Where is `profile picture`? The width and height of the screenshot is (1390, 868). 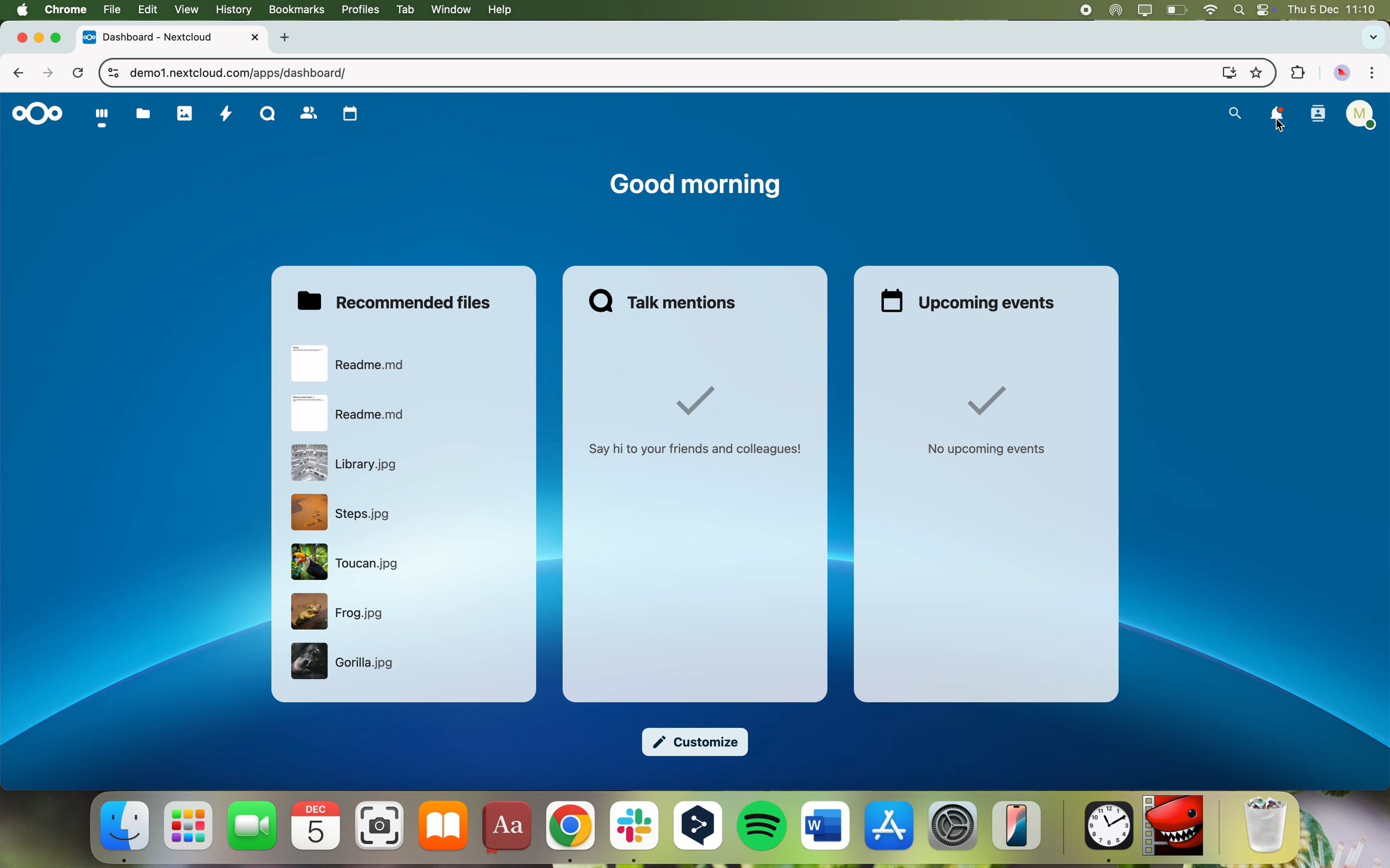 profile picture is located at coordinates (1342, 74).